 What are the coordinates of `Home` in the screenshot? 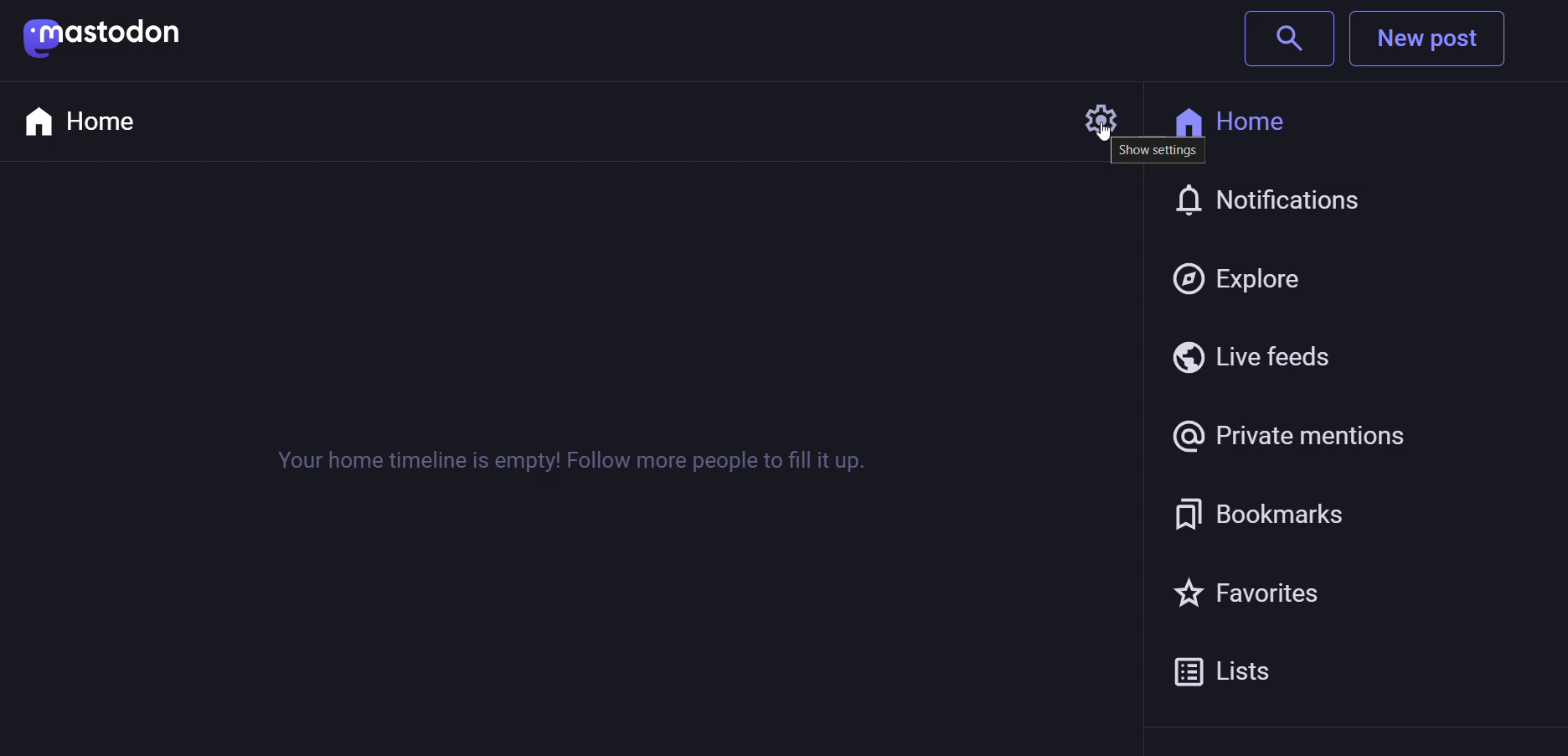 It's located at (1241, 115).